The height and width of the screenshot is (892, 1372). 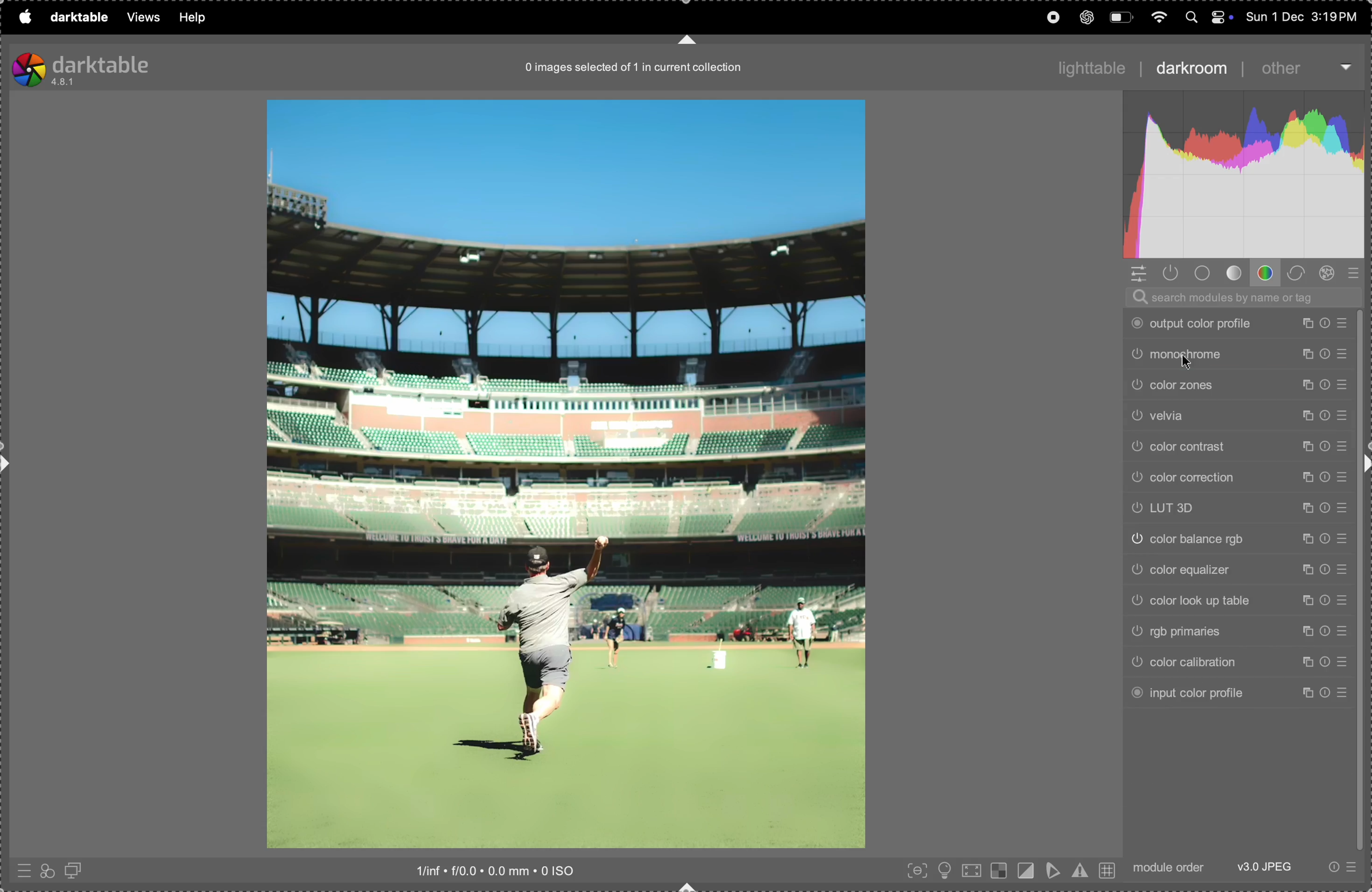 What do you see at coordinates (1236, 273) in the screenshot?
I see `tone` at bounding box center [1236, 273].